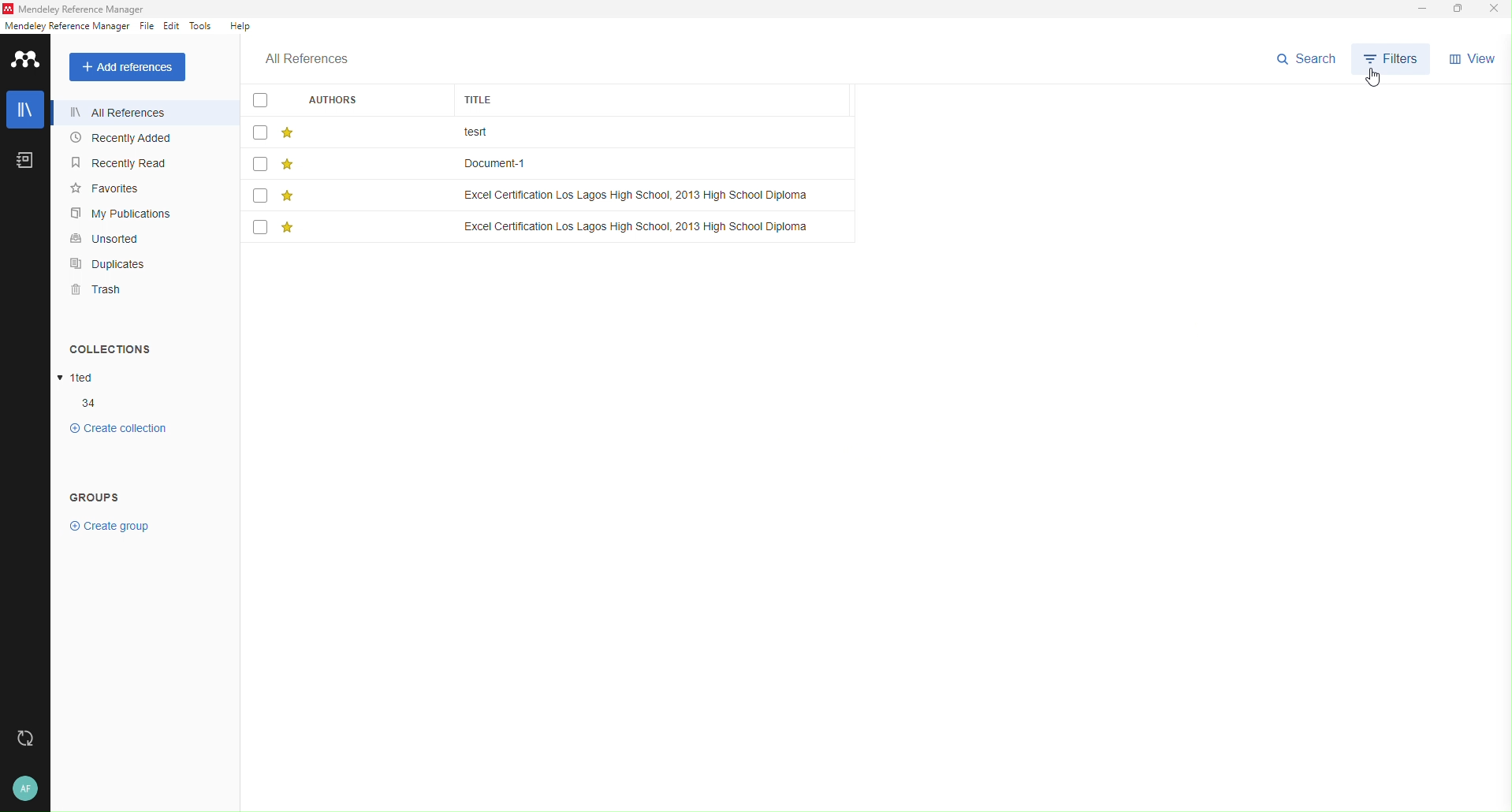  What do you see at coordinates (336, 99) in the screenshot?
I see `authors` at bounding box center [336, 99].